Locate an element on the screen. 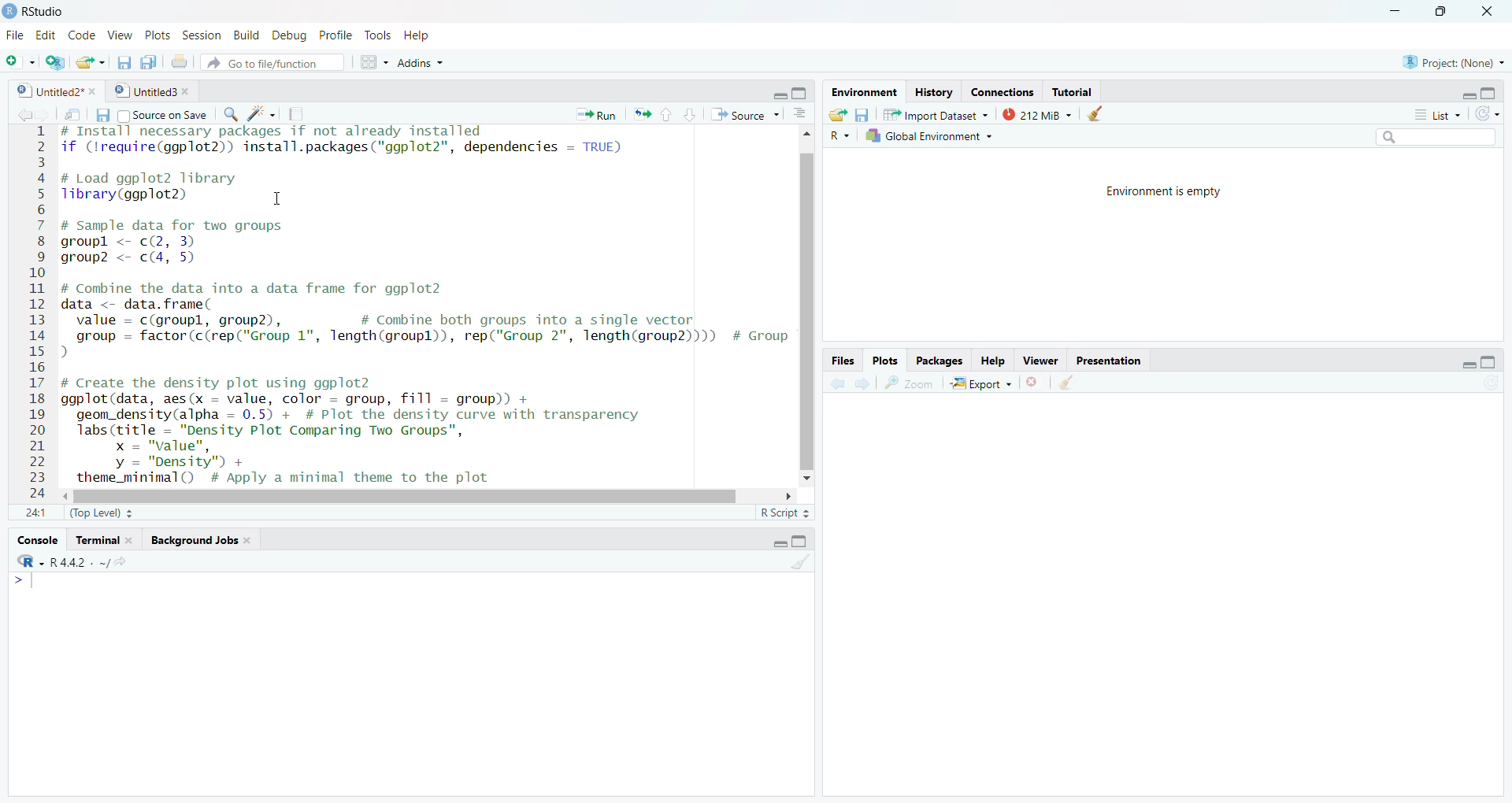 The width and height of the screenshot is (1512, 803). RS audio is located at coordinates (37, 12).